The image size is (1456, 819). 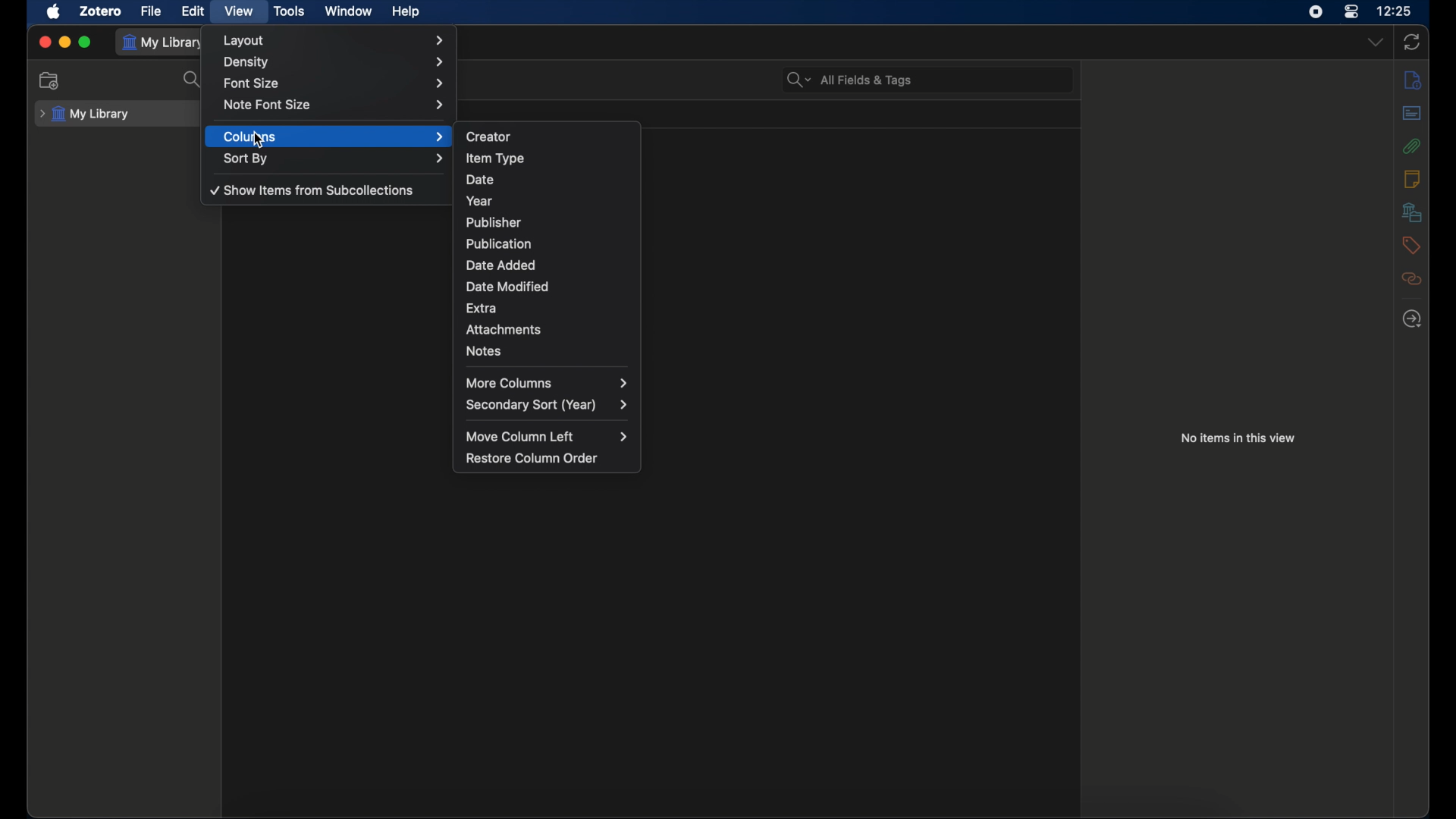 I want to click on extra, so click(x=482, y=309).